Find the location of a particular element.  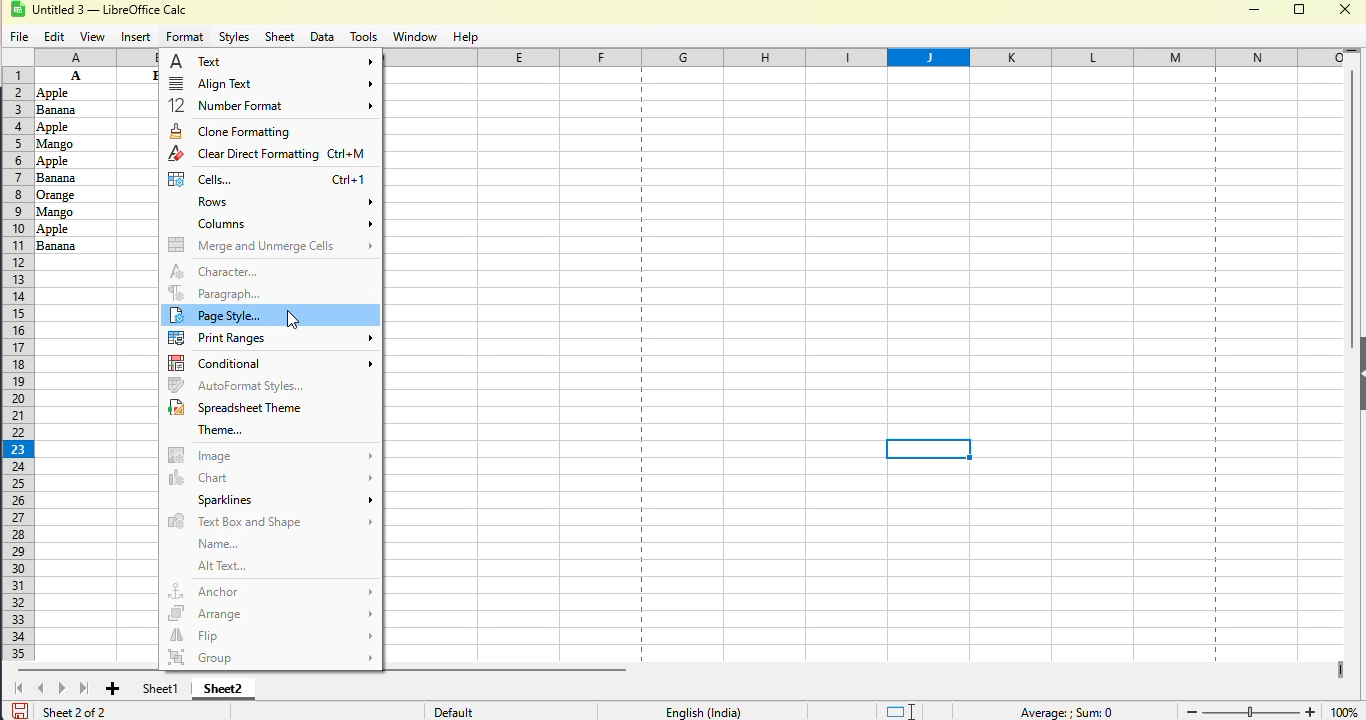

change zoom level is located at coordinates (1251, 710).